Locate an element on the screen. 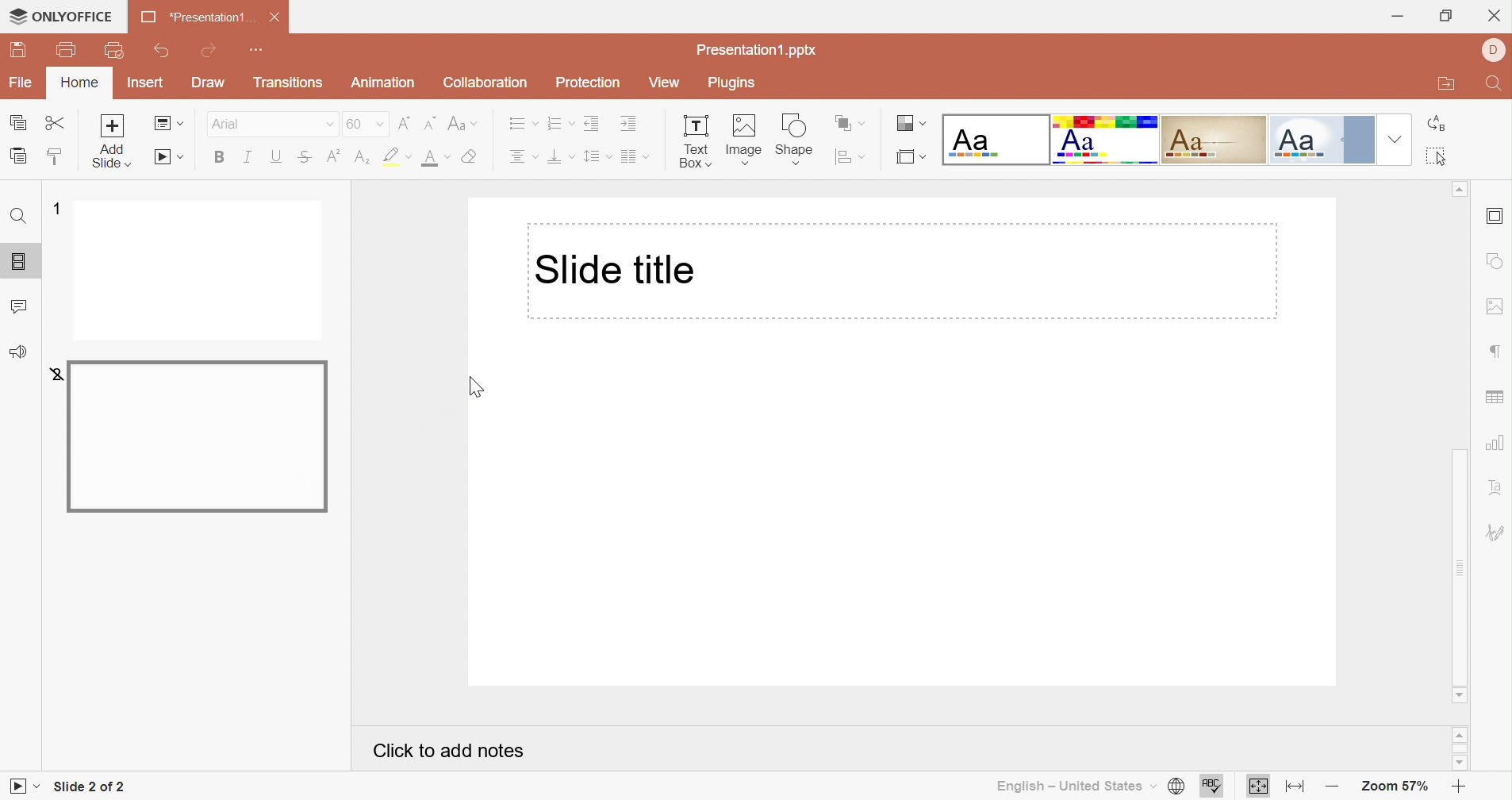  Close is located at coordinates (1496, 15).